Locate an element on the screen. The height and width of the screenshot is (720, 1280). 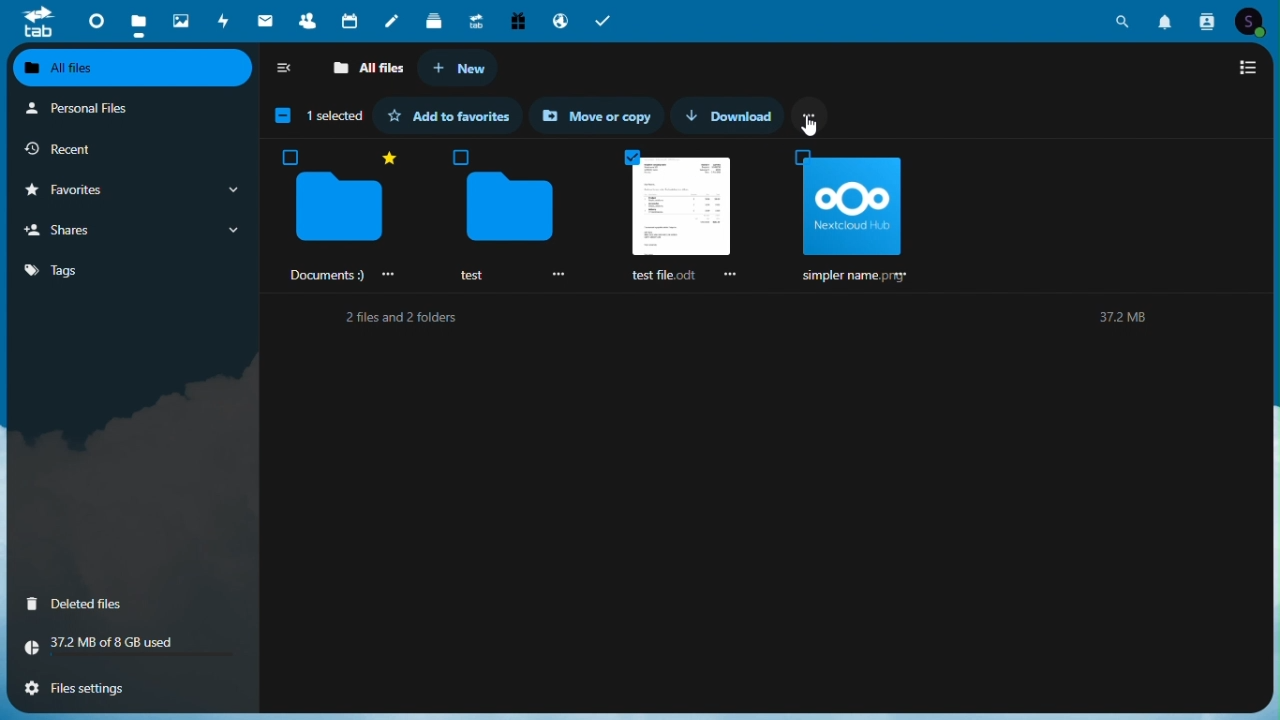
Shares is located at coordinates (130, 231).